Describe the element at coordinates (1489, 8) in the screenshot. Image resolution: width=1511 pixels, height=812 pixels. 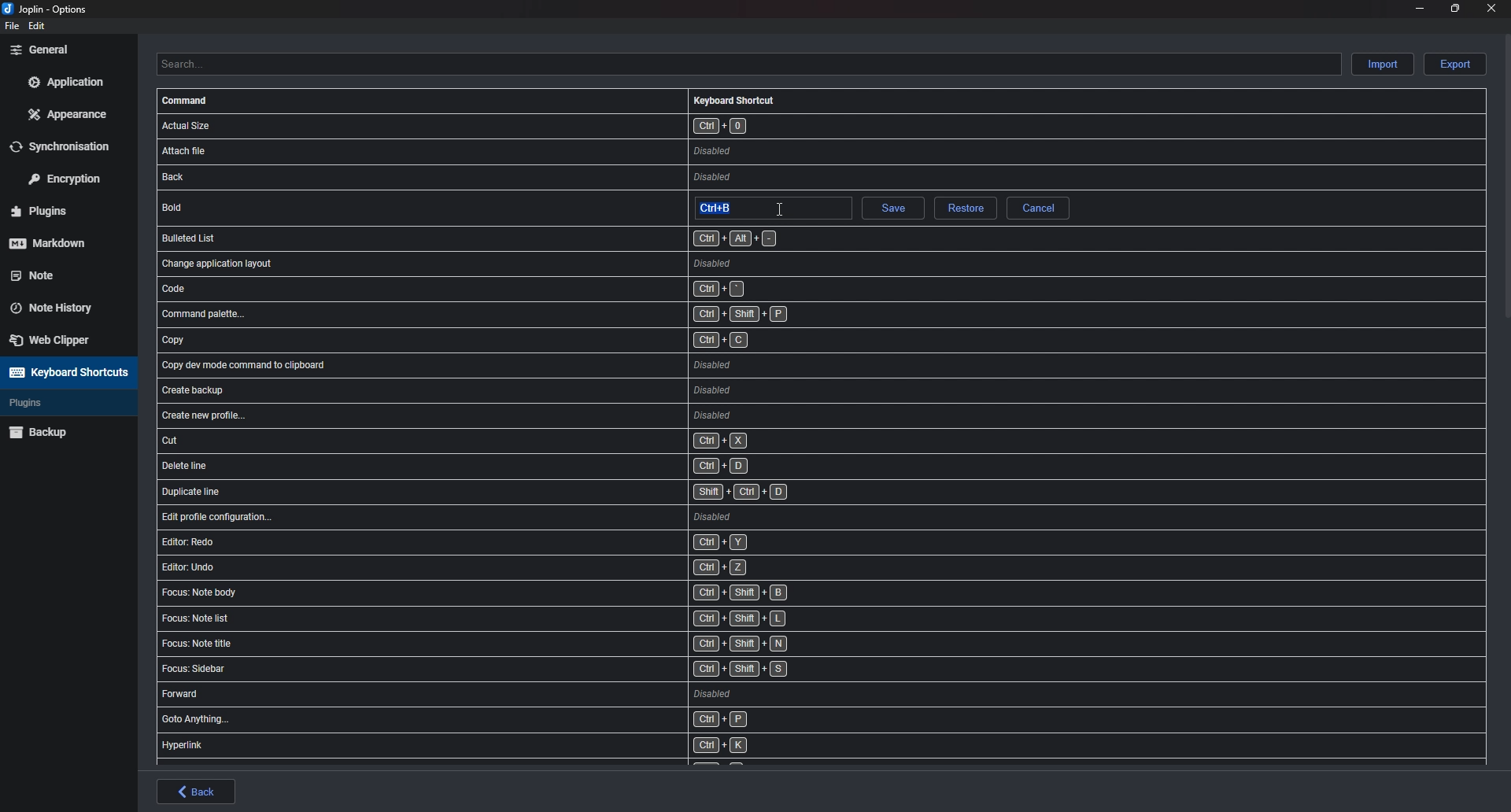
I see `close` at that location.